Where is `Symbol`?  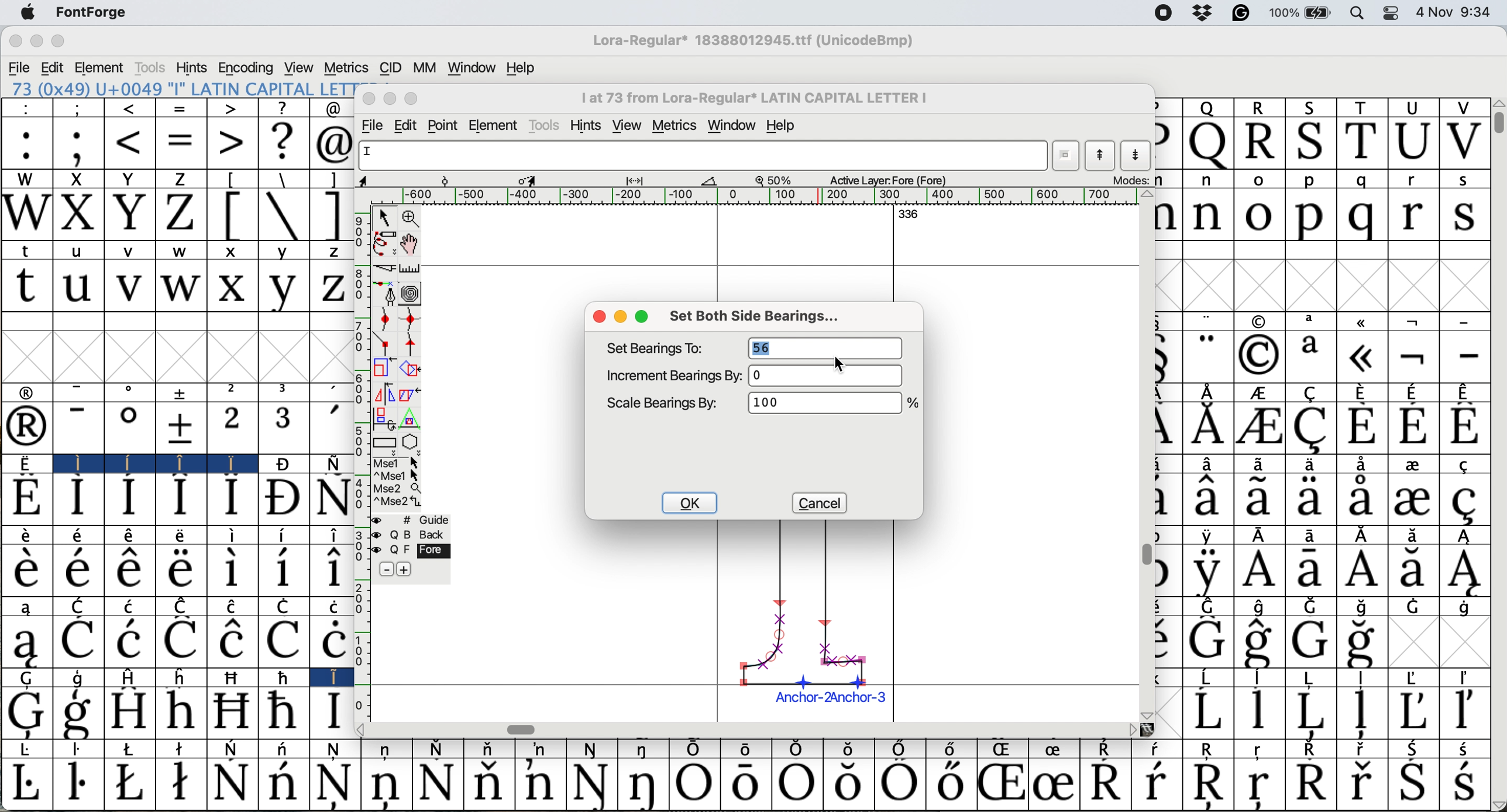
Symbol is located at coordinates (339, 750).